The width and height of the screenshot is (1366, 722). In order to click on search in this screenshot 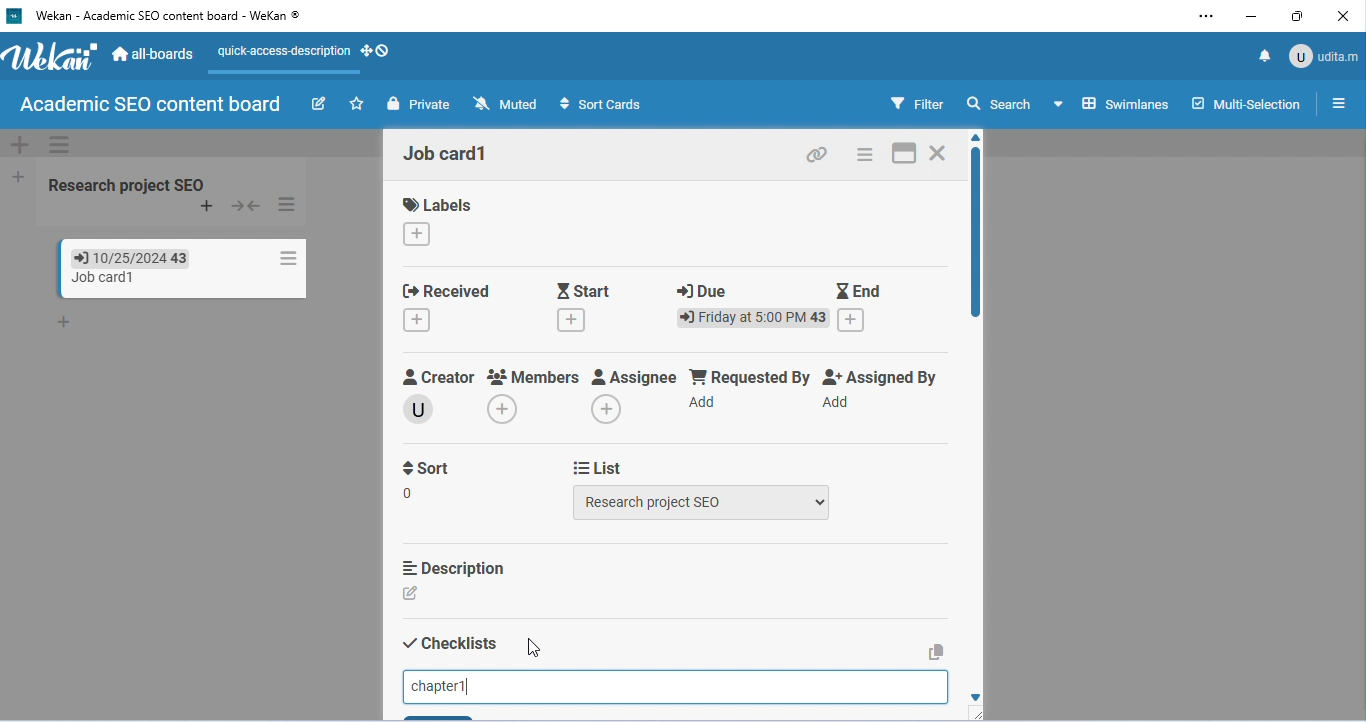, I will do `click(1001, 105)`.